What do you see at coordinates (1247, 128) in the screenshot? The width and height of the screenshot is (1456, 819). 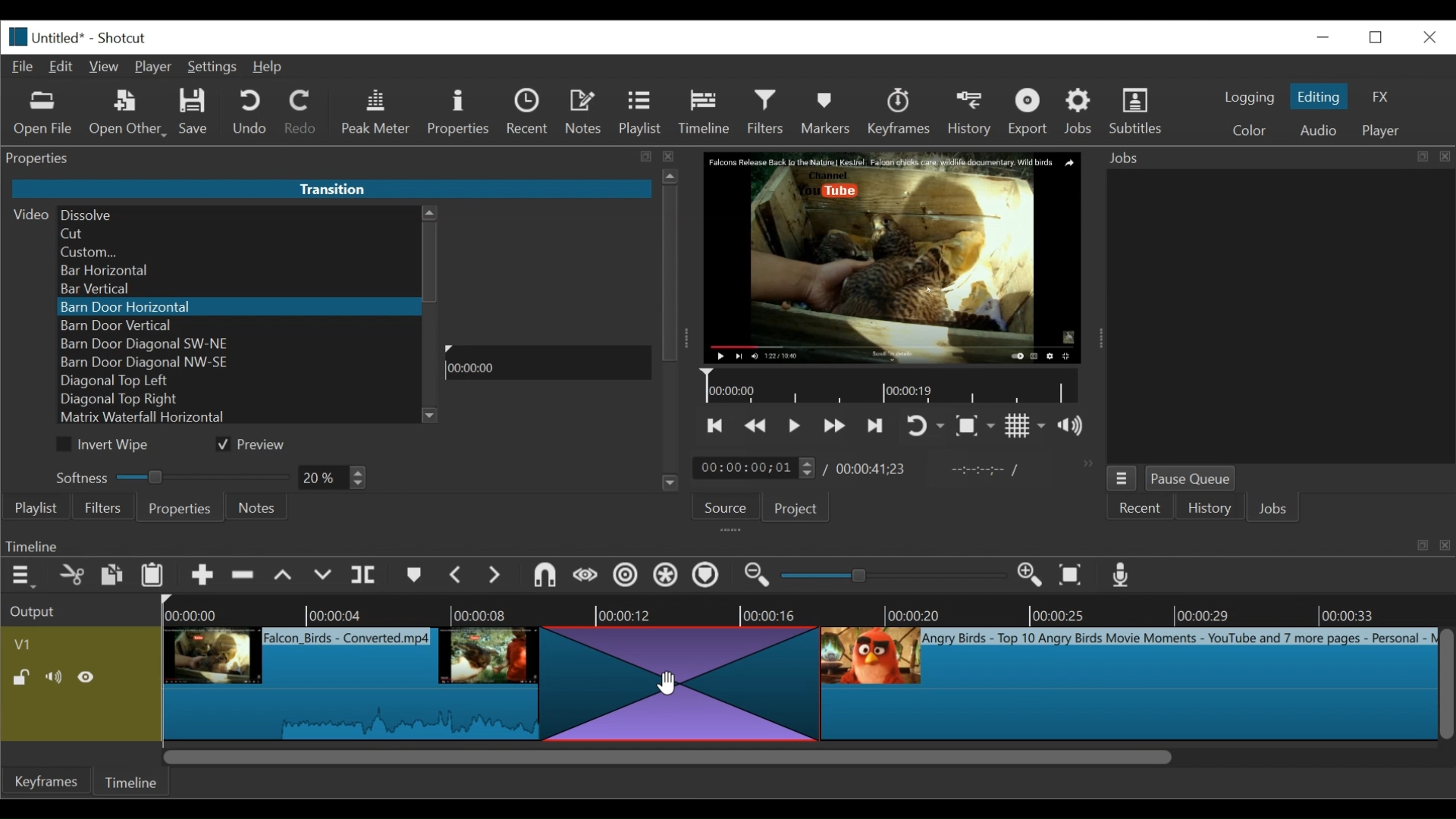 I see `Color` at bounding box center [1247, 128].